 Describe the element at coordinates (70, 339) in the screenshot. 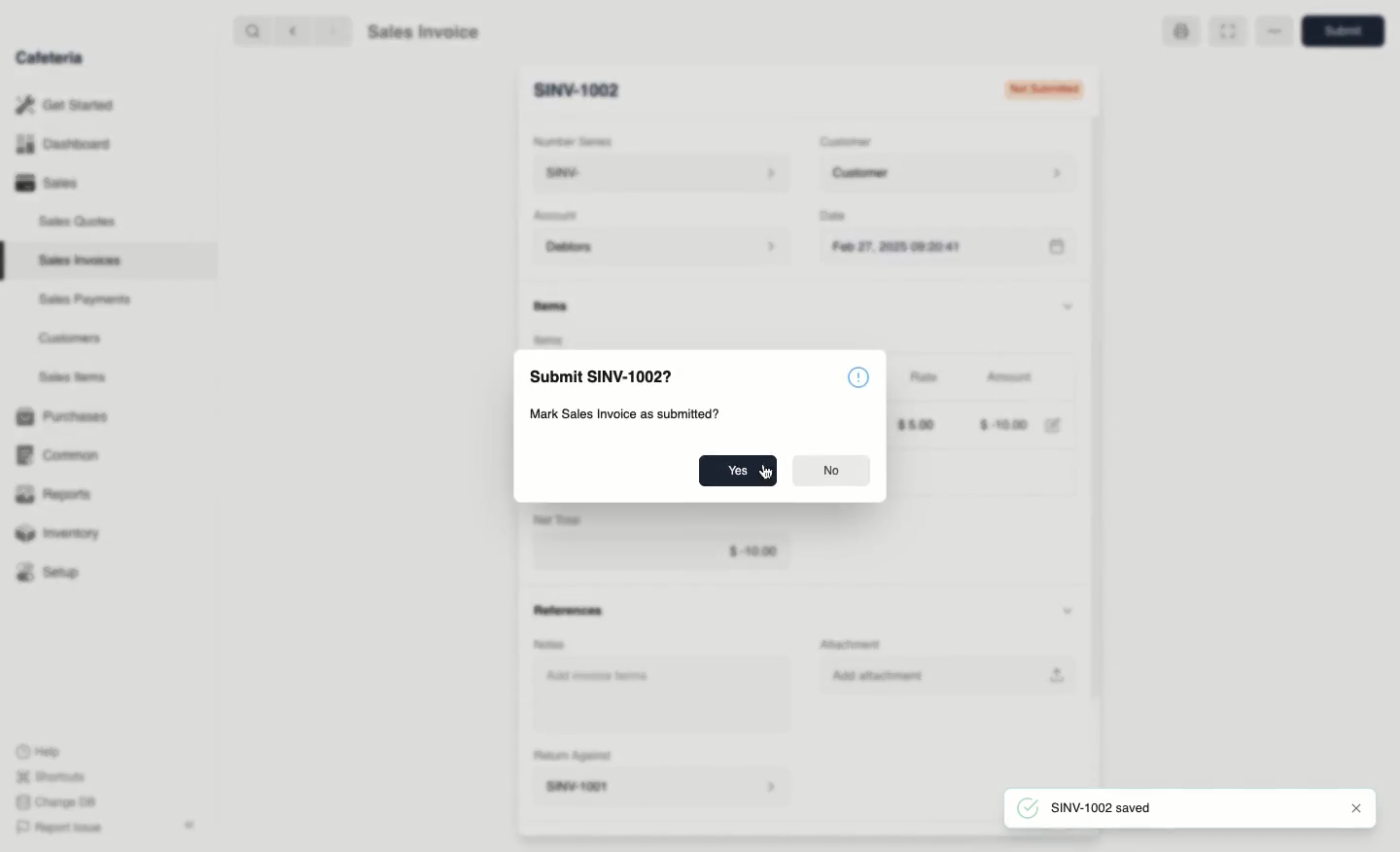

I see `Customers` at that location.